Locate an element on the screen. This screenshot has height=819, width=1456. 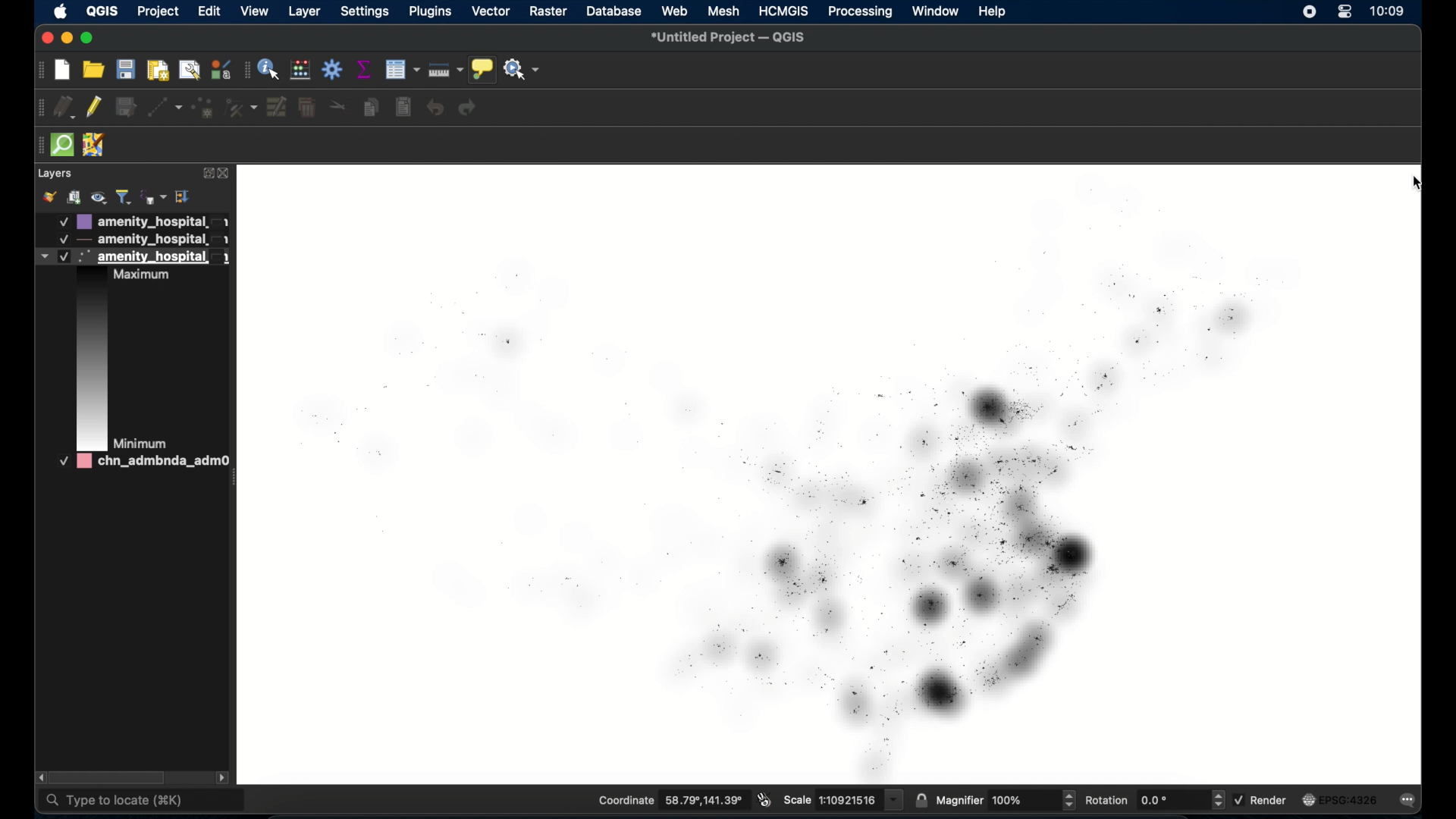
modify attributes is located at coordinates (277, 108).